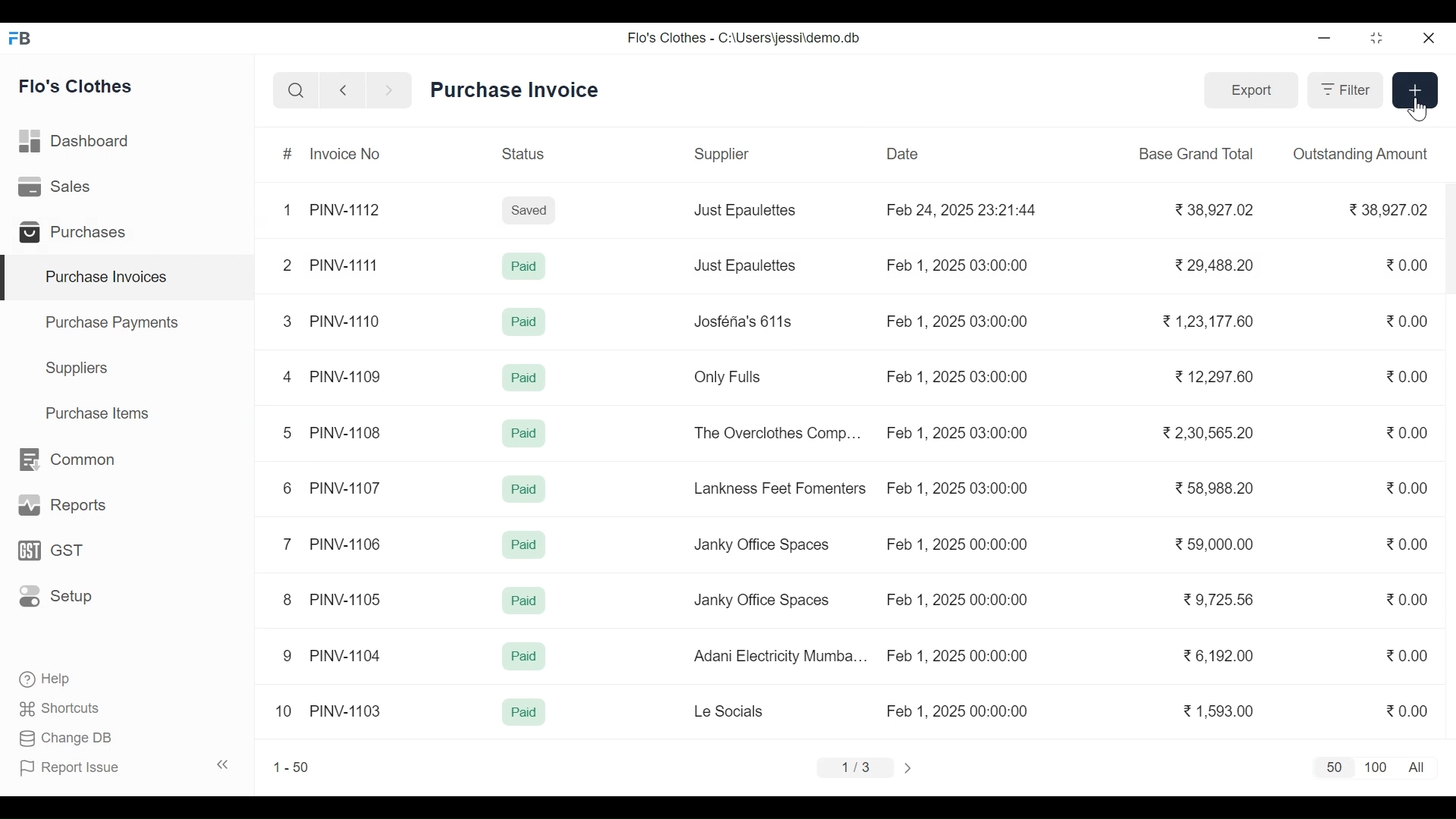  I want to click on 8, so click(285, 598).